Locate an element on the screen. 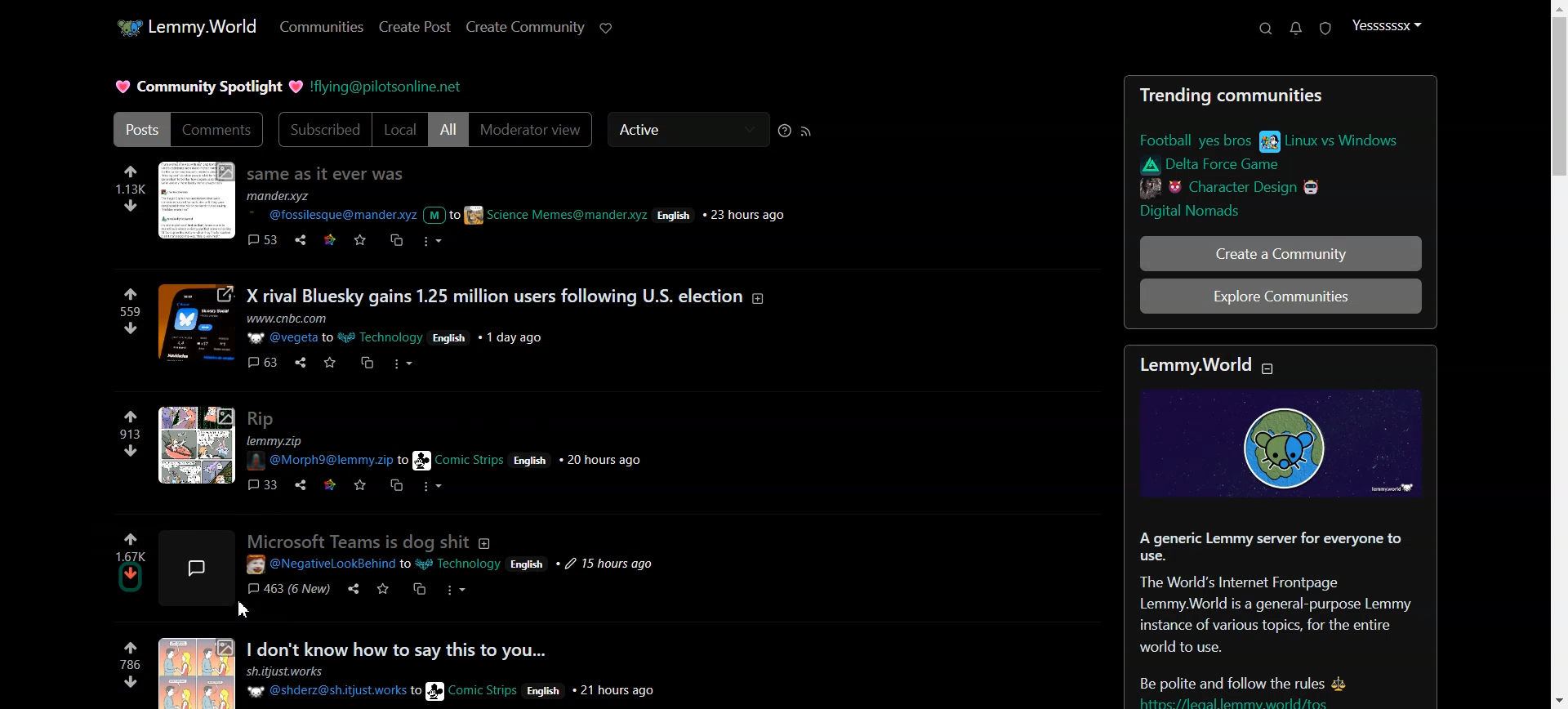 This screenshot has width=1568, height=709. up is located at coordinates (130, 417).